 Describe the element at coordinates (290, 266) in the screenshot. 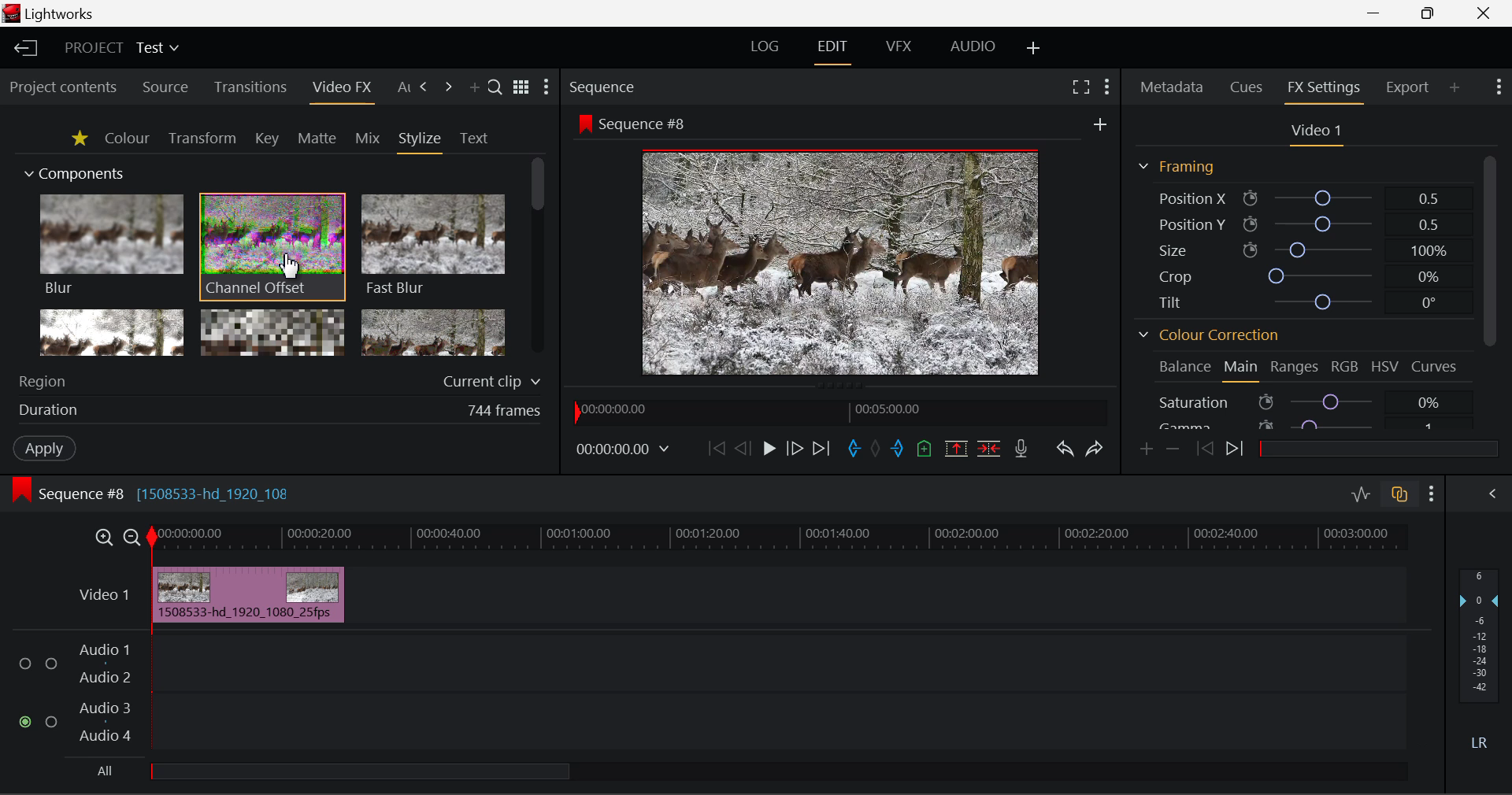

I see `Cursor Position` at that location.